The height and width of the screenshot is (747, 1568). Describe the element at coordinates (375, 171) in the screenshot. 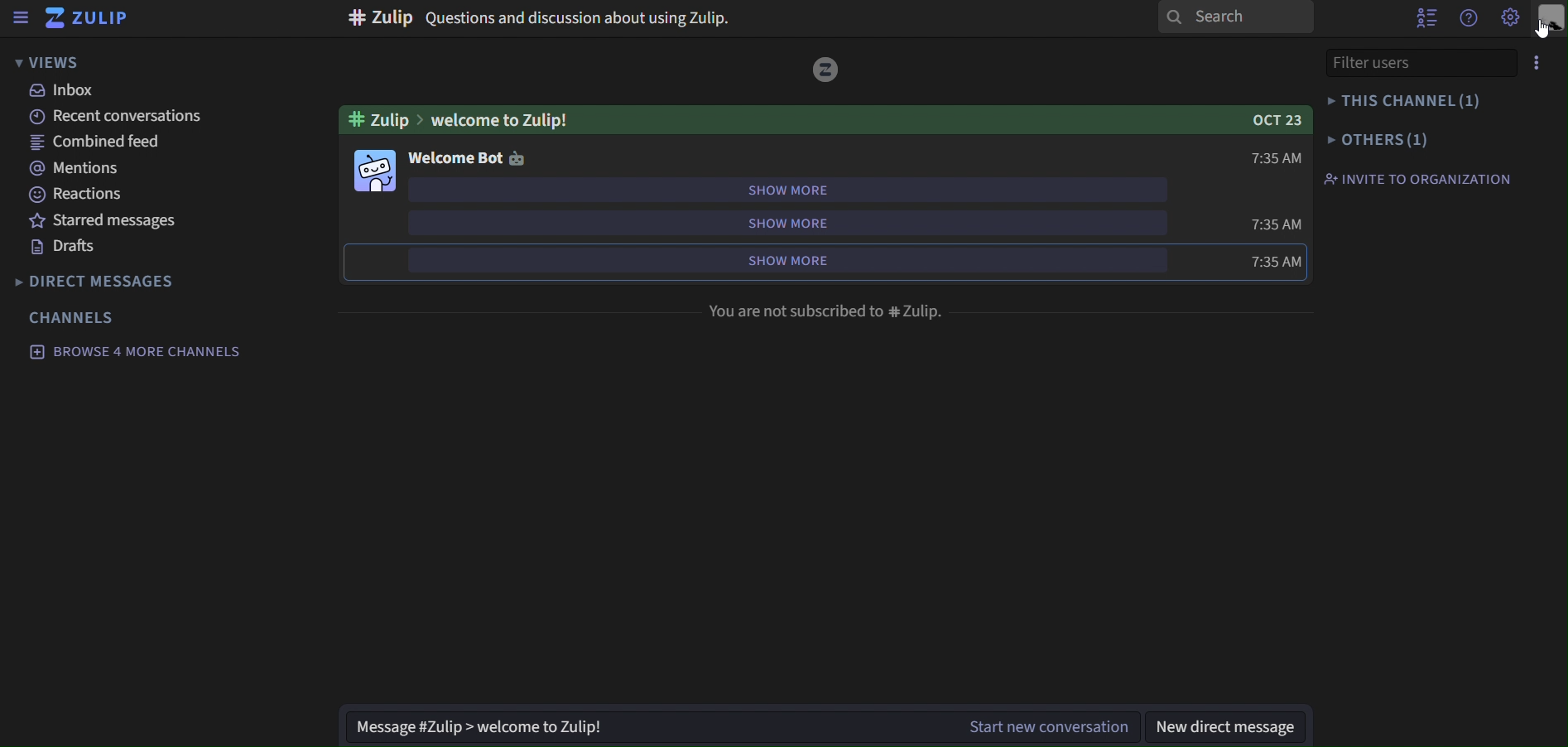

I see `image` at that location.